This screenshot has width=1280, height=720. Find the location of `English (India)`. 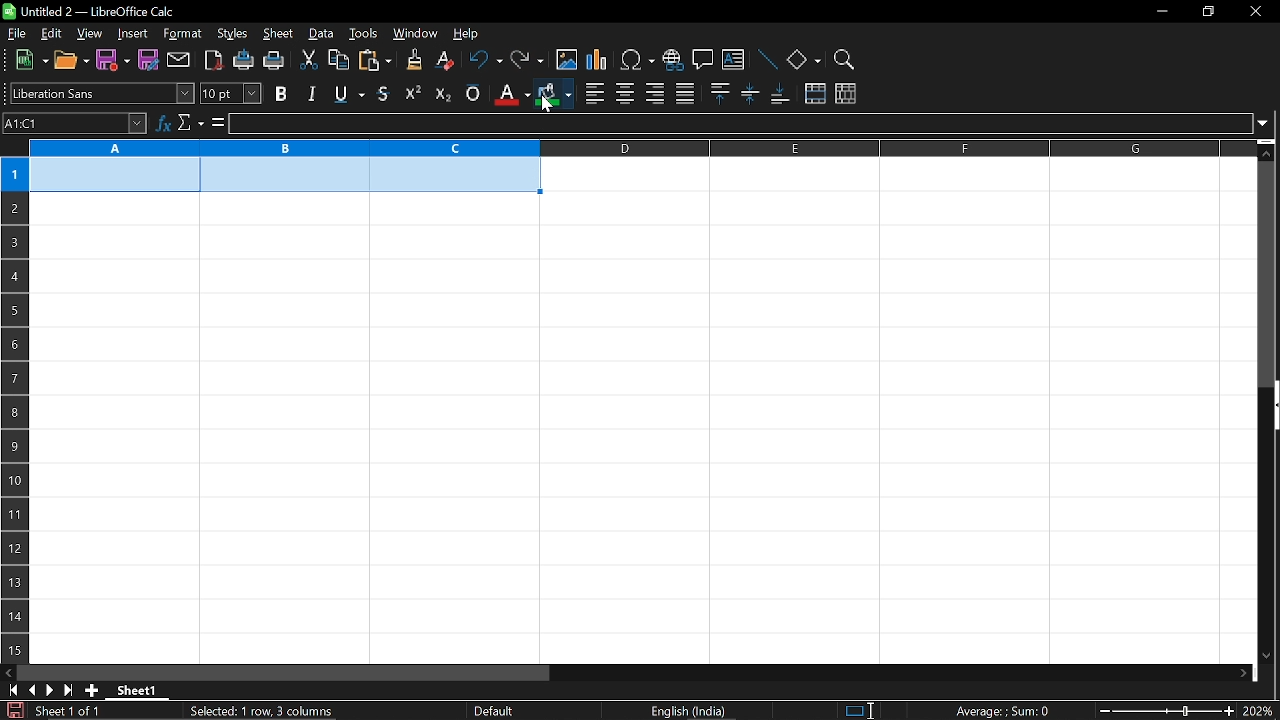

English (India) is located at coordinates (690, 711).